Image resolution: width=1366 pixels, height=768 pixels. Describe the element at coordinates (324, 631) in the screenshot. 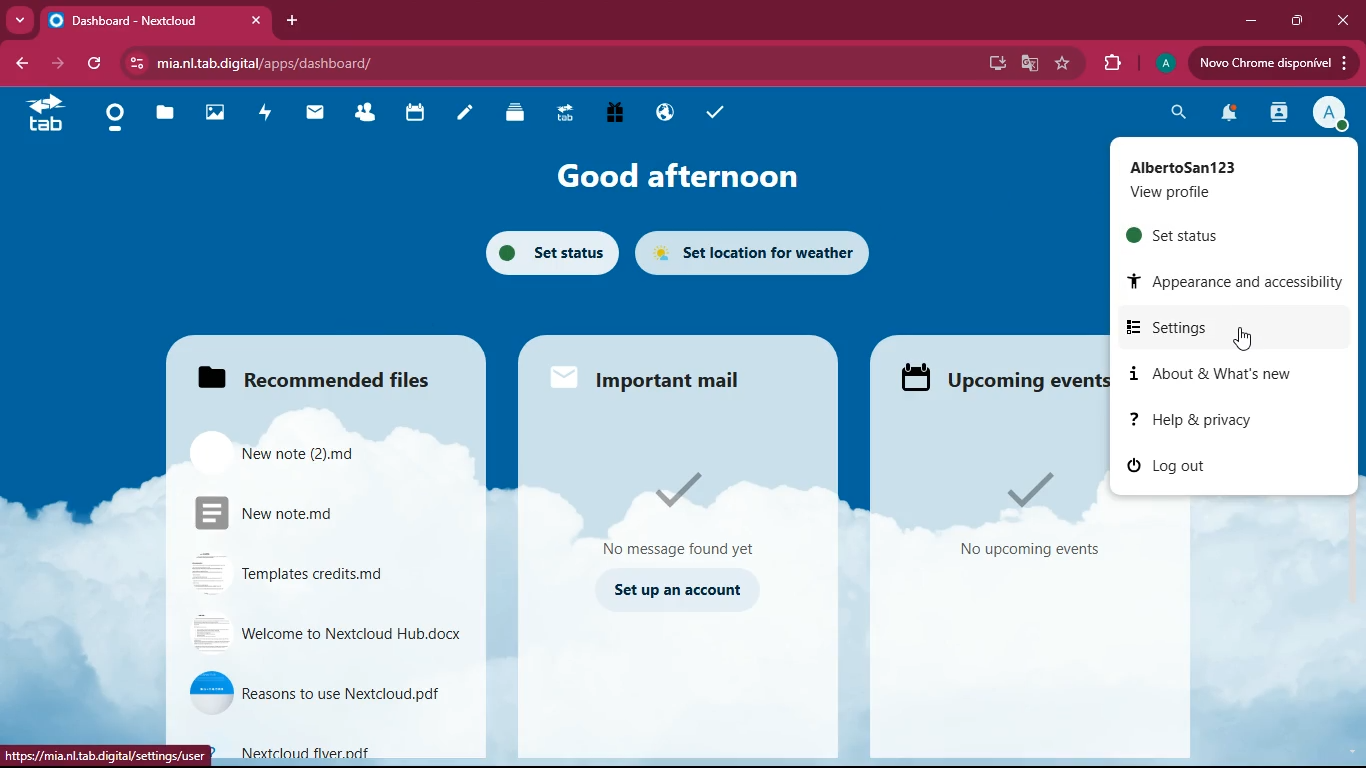

I see `file` at that location.